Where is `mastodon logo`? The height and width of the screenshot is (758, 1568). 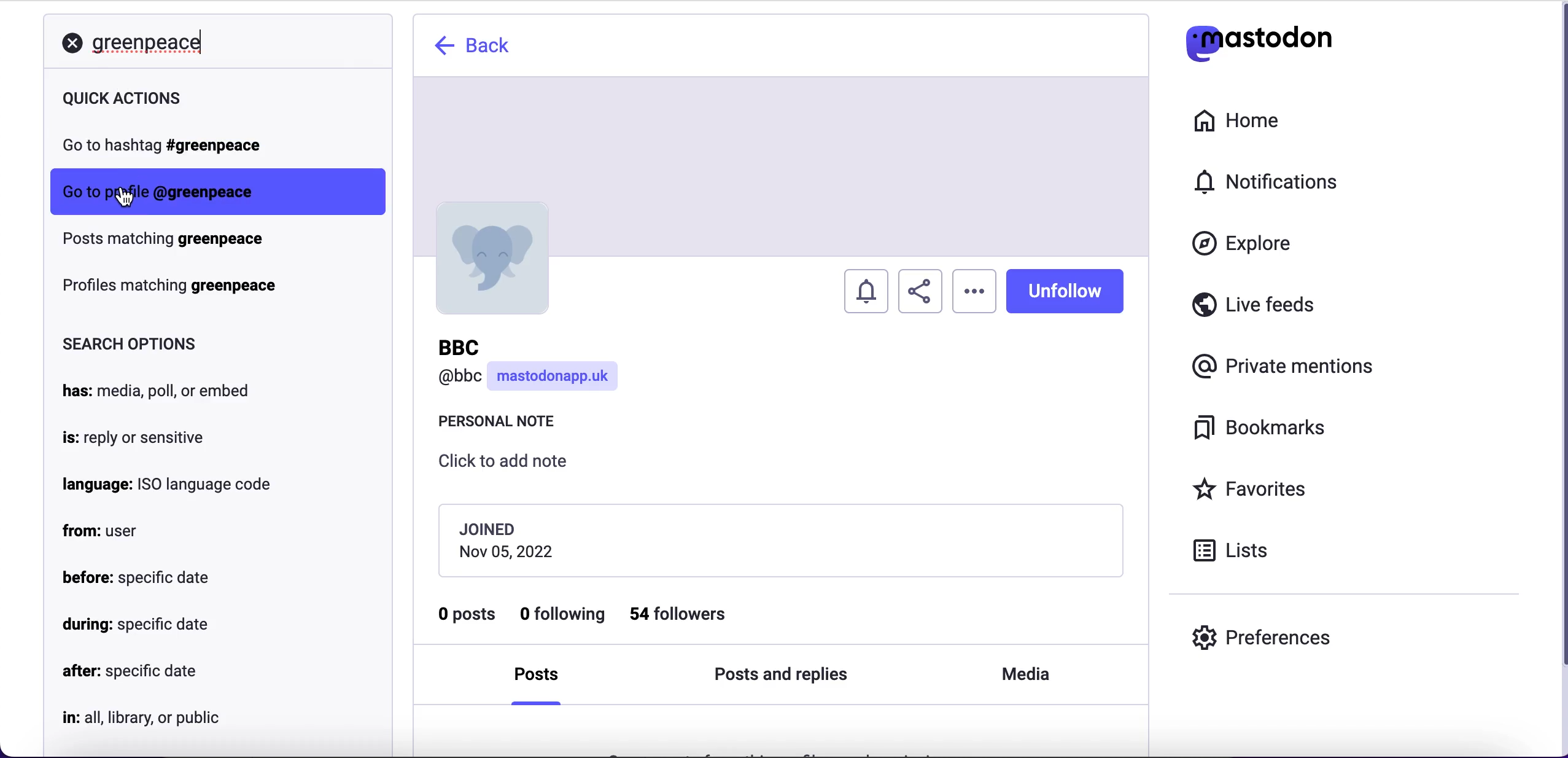 mastodon logo is located at coordinates (1259, 40).